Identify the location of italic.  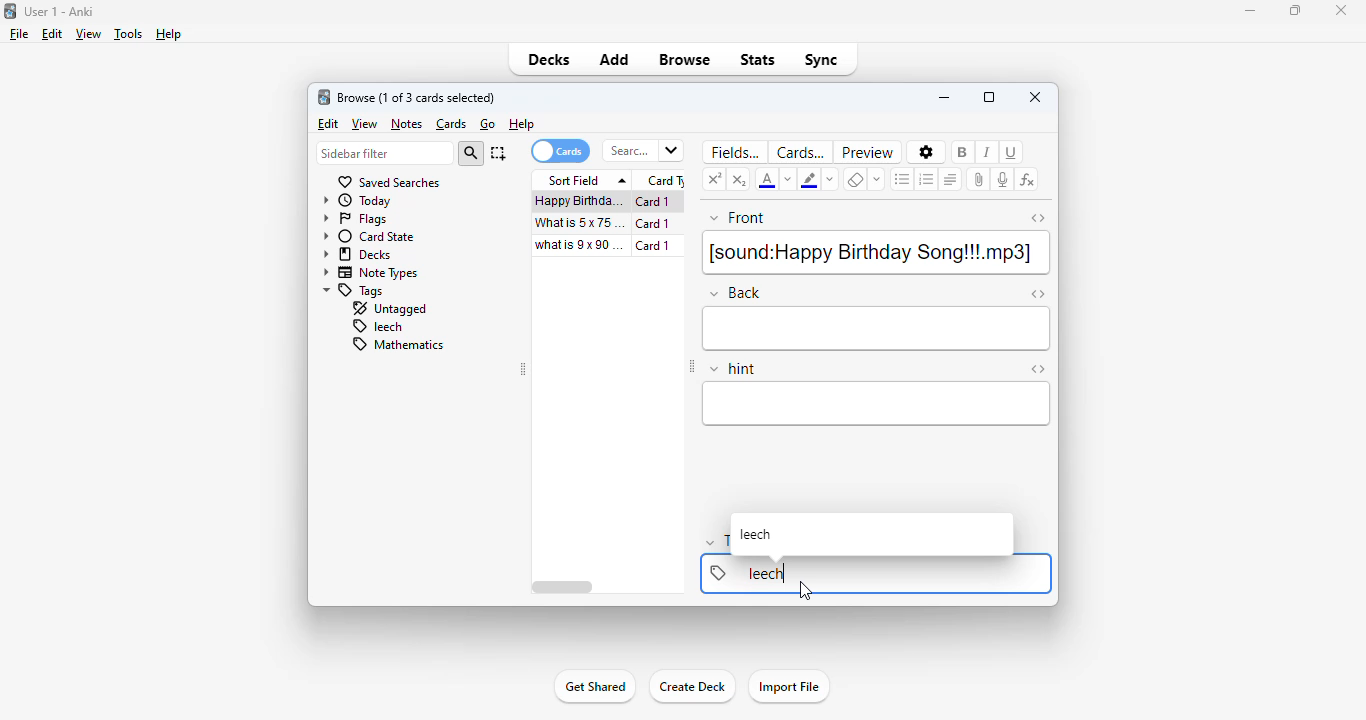
(987, 151).